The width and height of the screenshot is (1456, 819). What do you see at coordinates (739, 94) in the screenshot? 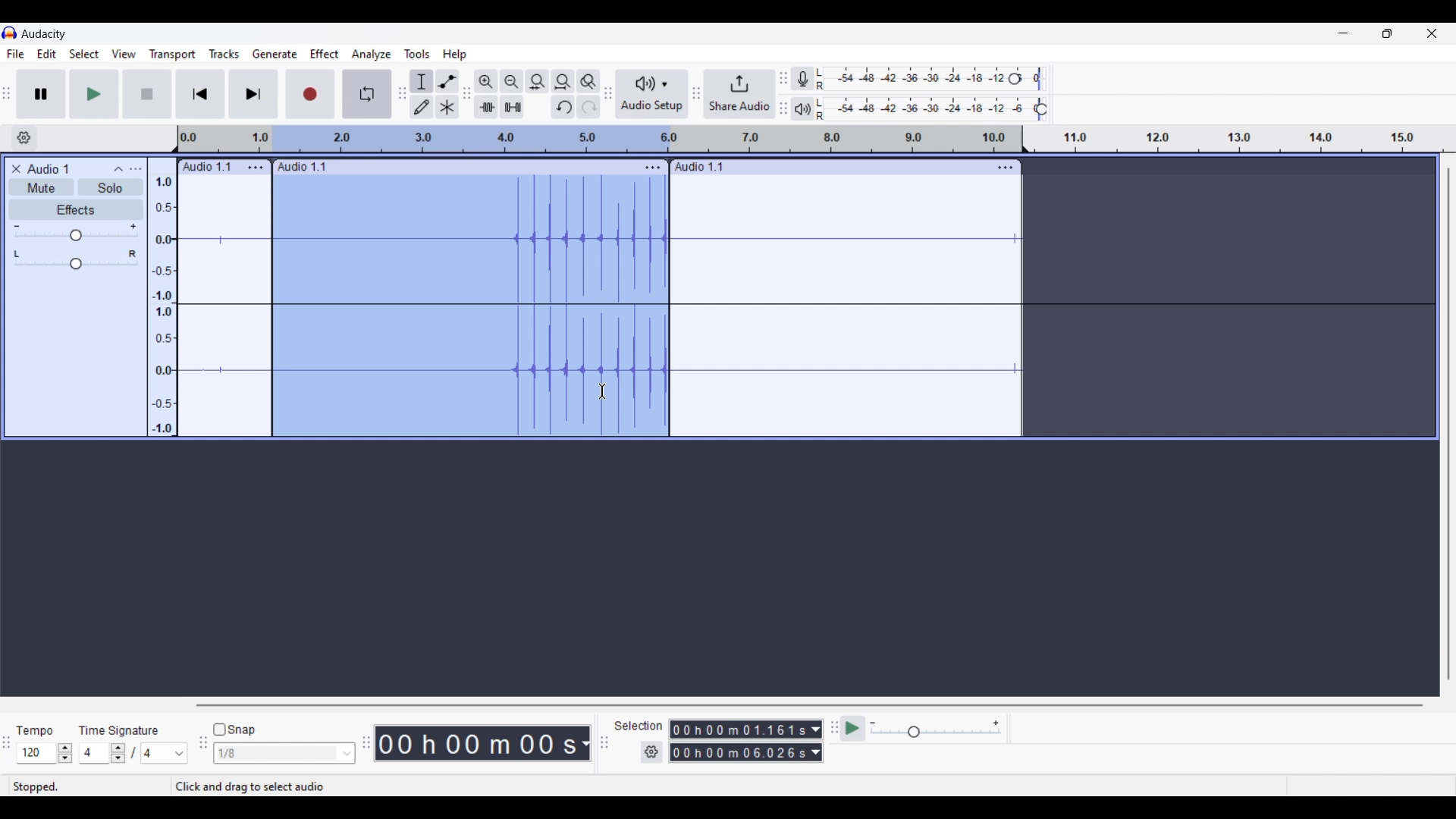
I see `Share audio` at bounding box center [739, 94].